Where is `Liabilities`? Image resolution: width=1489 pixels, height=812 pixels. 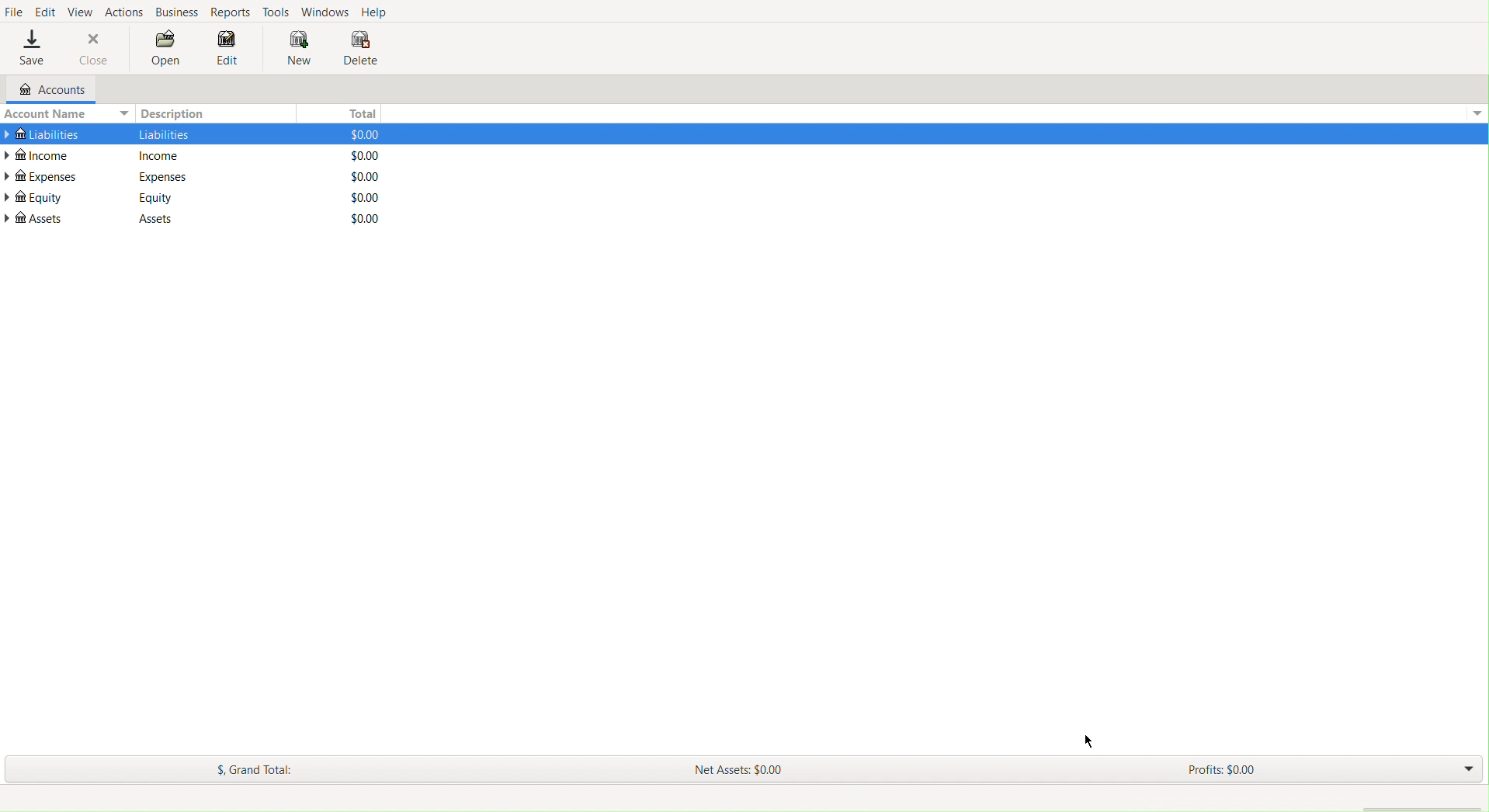
Liabilities is located at coordinates (42, 132).